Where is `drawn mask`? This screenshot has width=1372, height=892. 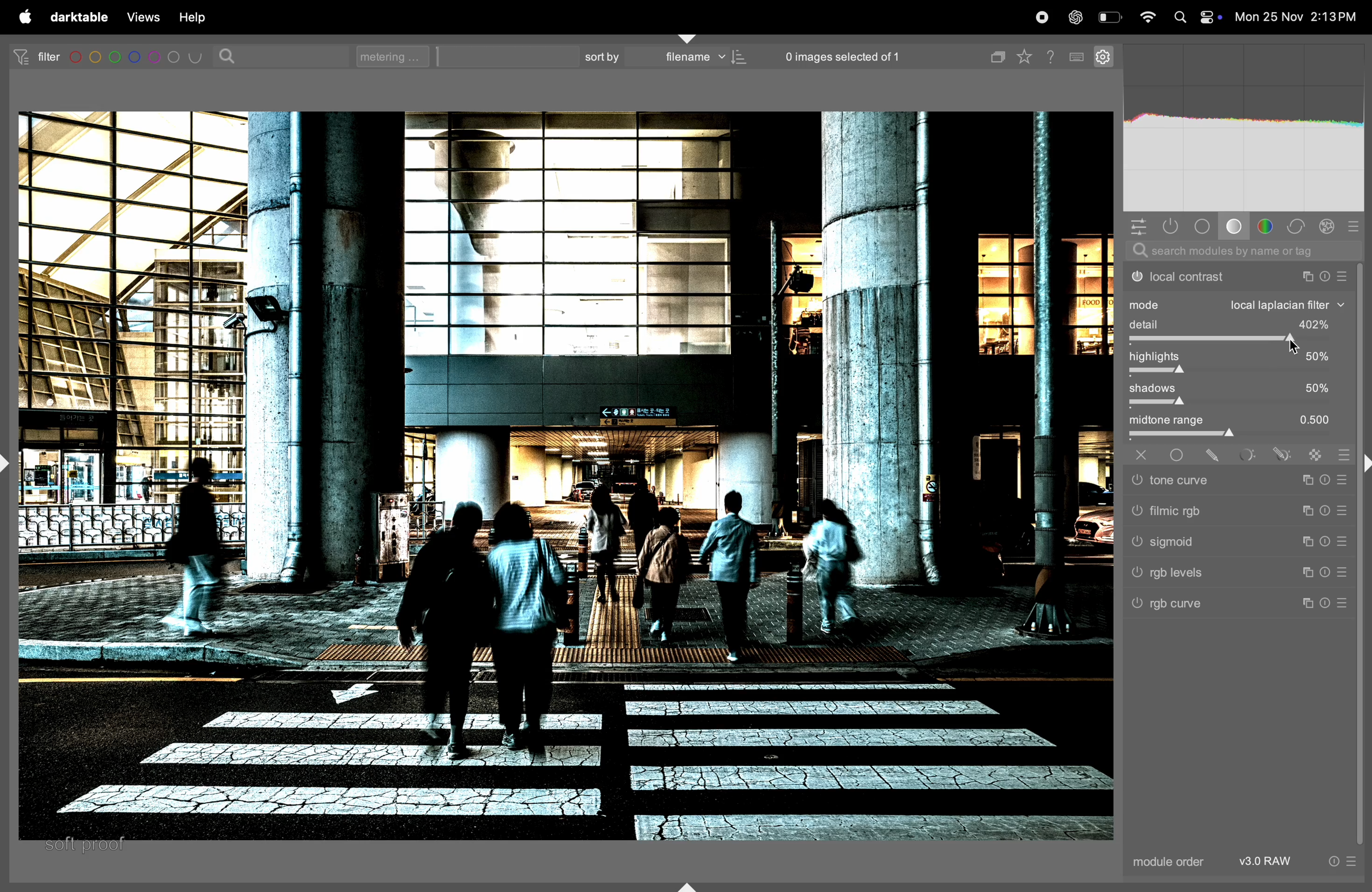
drawn mask is located at coordinates (1216, 456).